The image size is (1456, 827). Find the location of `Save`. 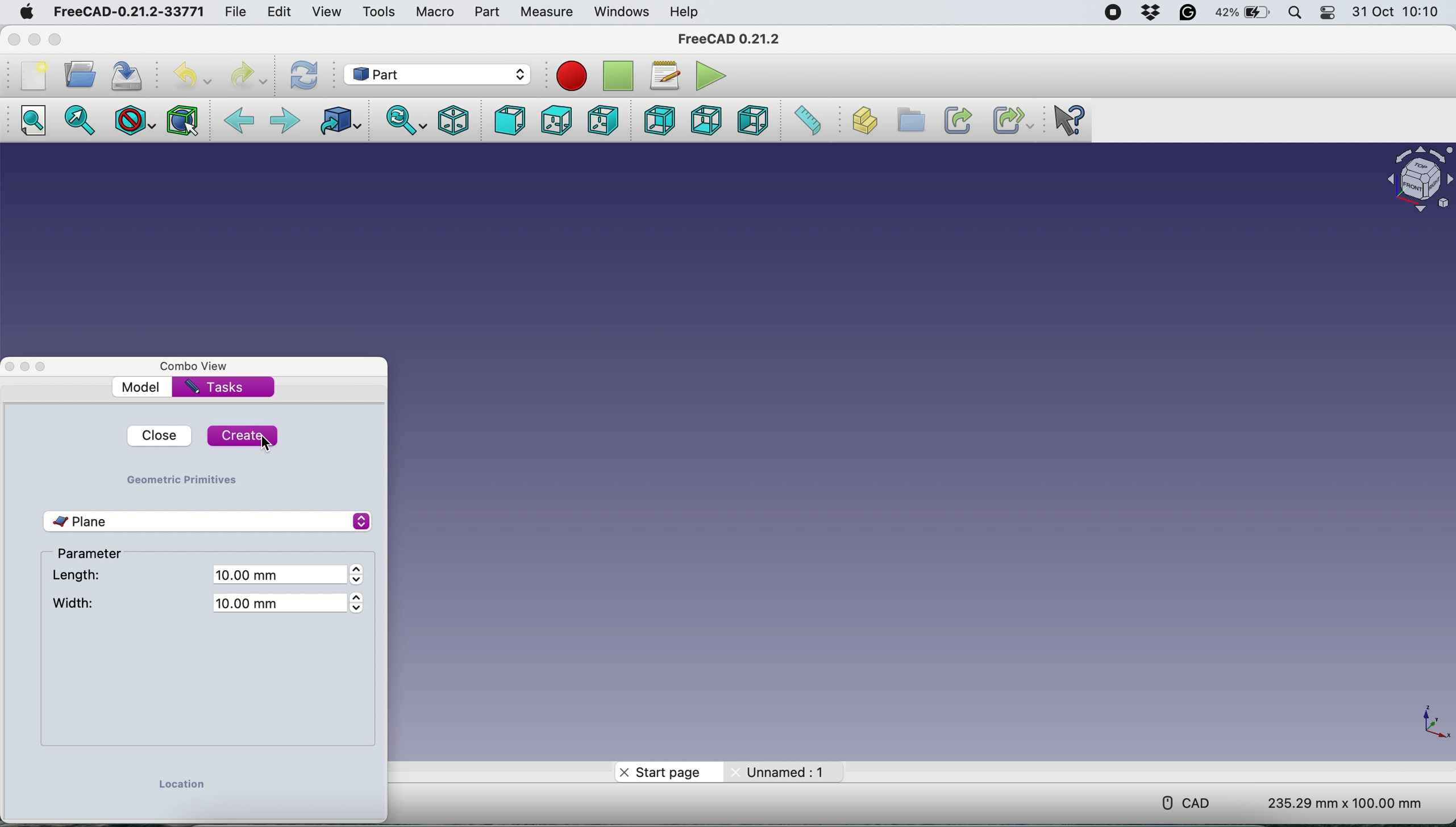

Save is located at coordinates (125, 75).